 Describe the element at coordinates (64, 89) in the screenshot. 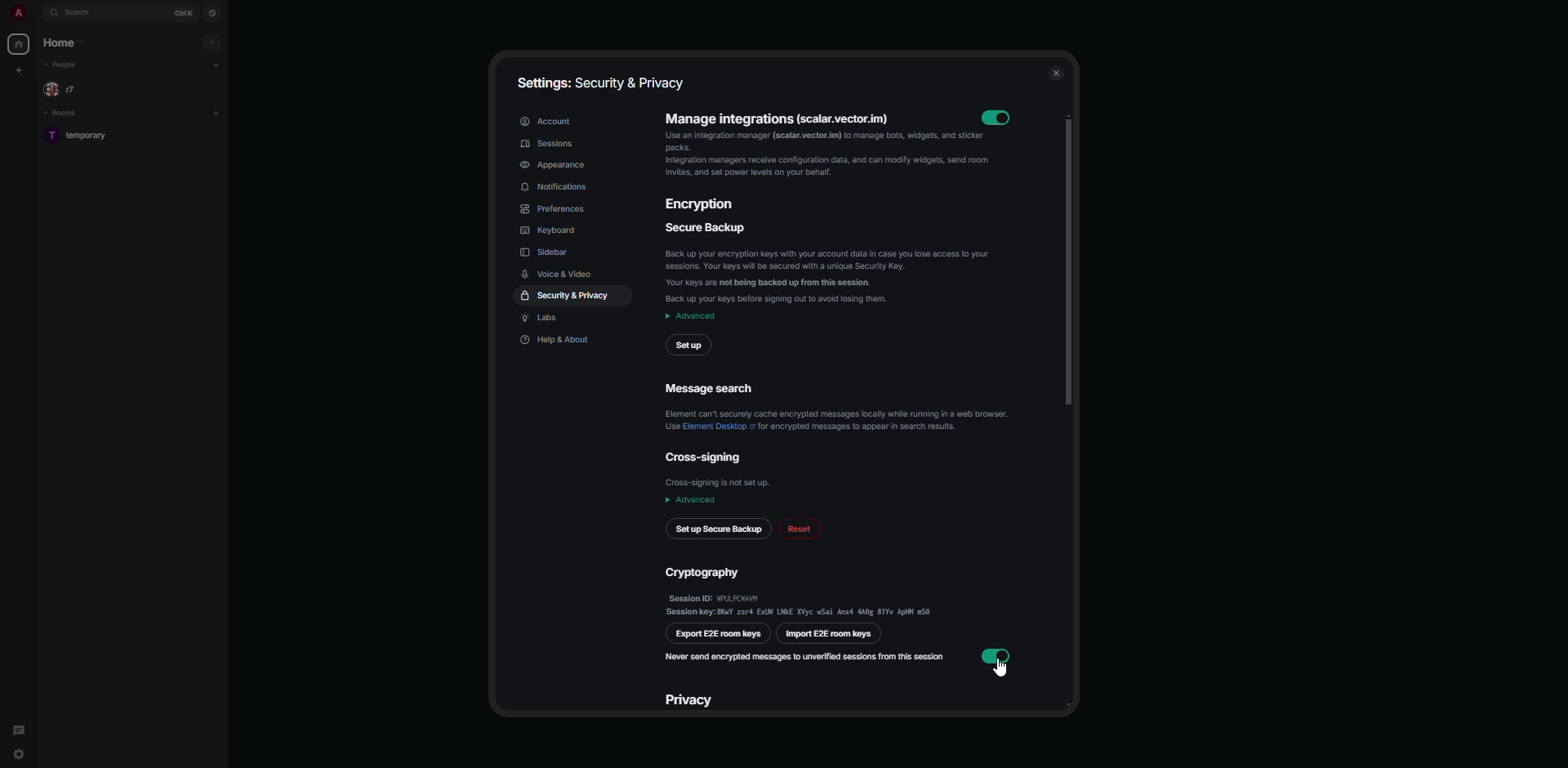

I see `people` at that location.